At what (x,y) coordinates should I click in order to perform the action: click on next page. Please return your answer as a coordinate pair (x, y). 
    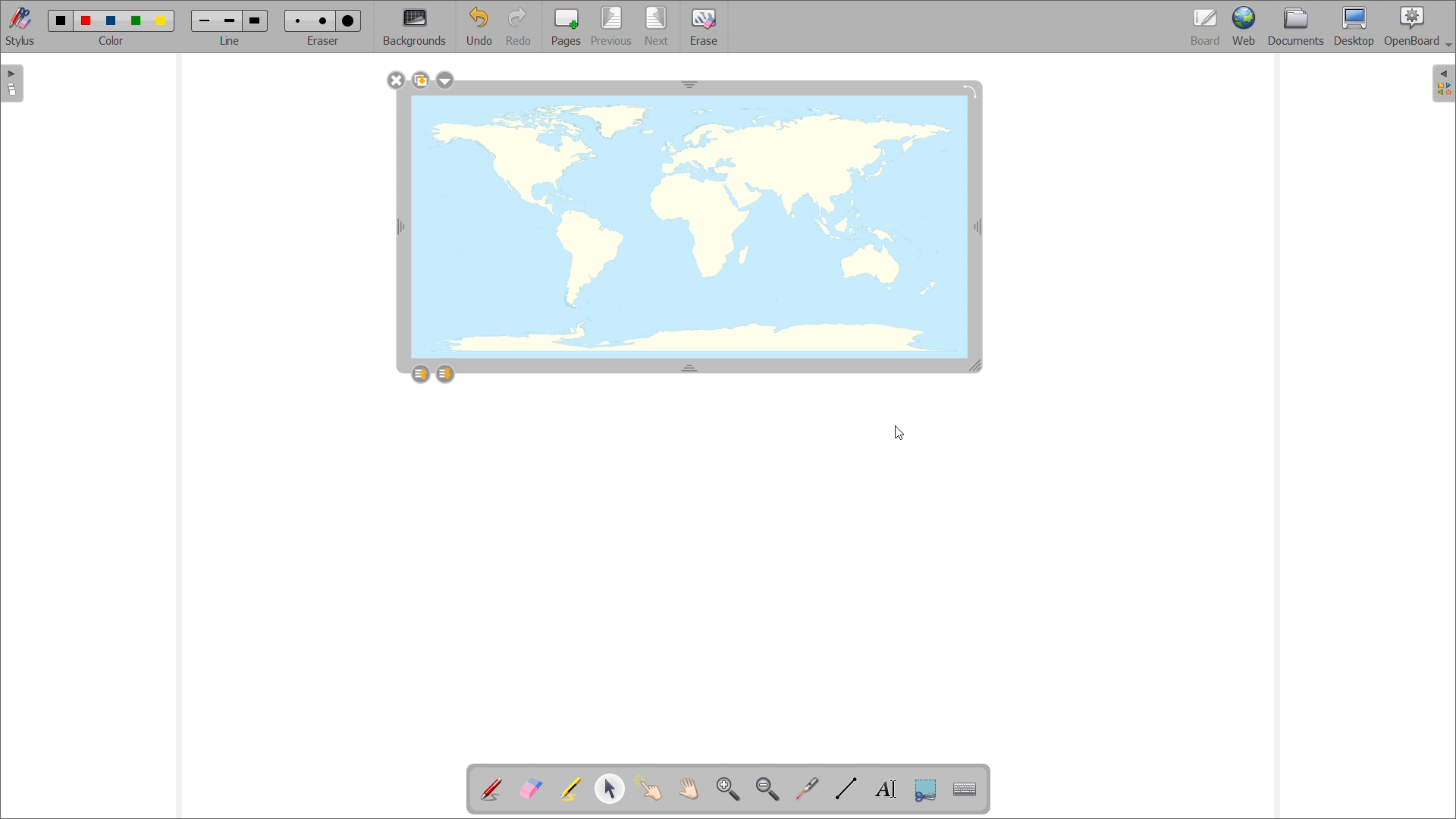
    Looking at the image, I should click on (657, 26).